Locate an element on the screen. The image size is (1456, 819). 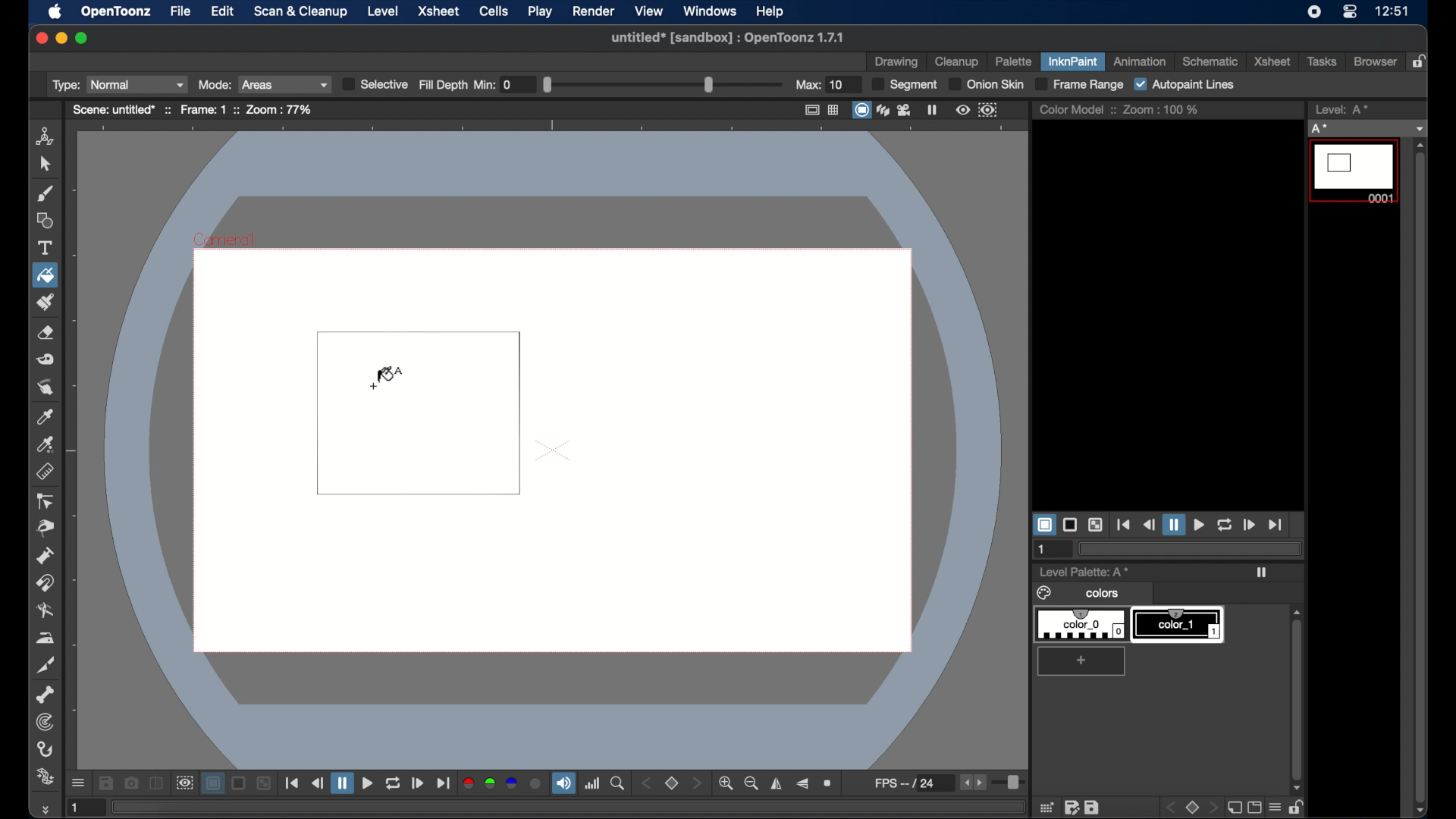
autopaint lines is located at coordinates (1184, 85).